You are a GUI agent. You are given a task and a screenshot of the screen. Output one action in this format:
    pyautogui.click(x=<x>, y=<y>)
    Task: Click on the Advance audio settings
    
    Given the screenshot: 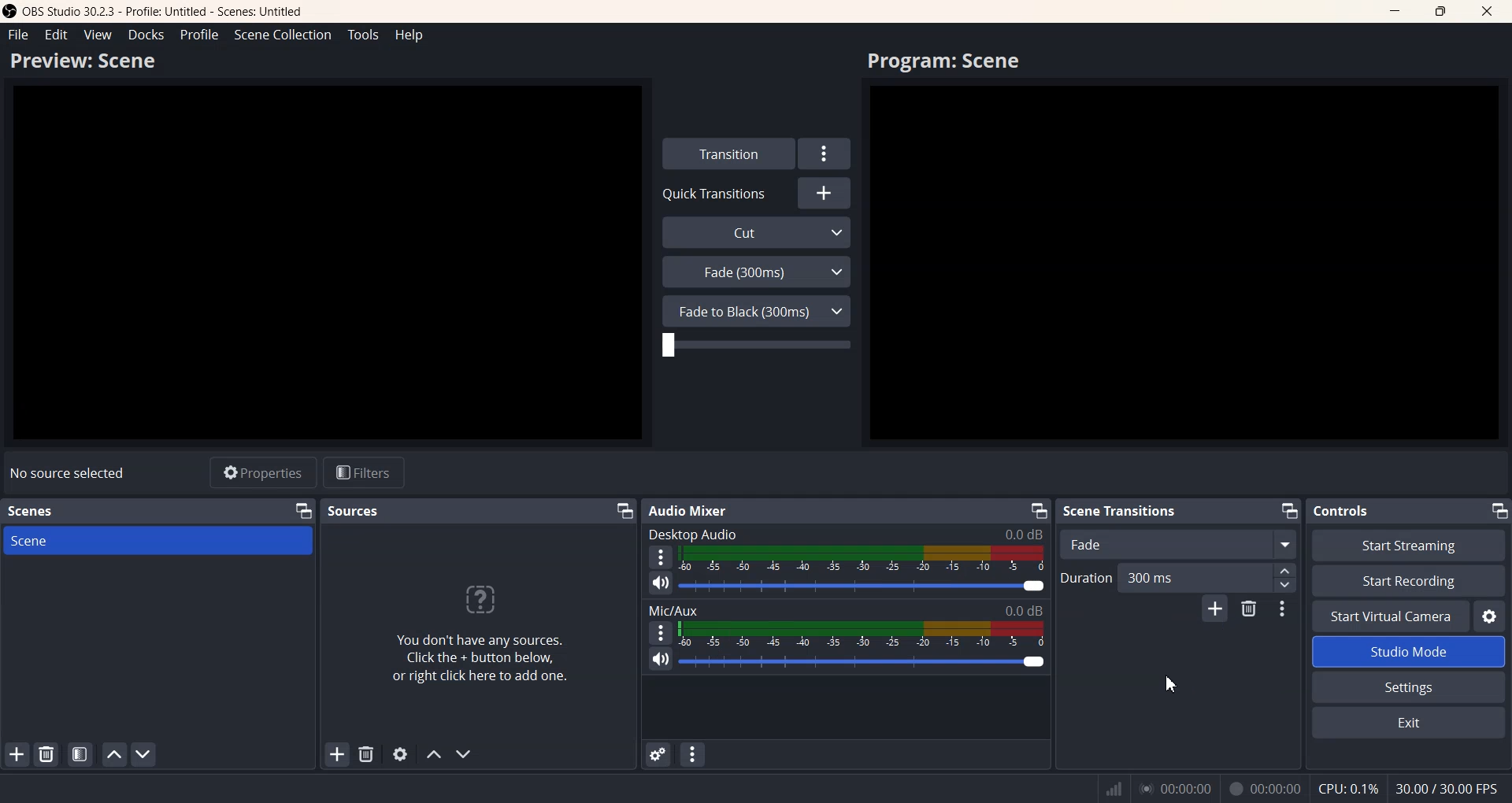 What is the action you would take?
    pyautogui.click(x=658, y=755)
    